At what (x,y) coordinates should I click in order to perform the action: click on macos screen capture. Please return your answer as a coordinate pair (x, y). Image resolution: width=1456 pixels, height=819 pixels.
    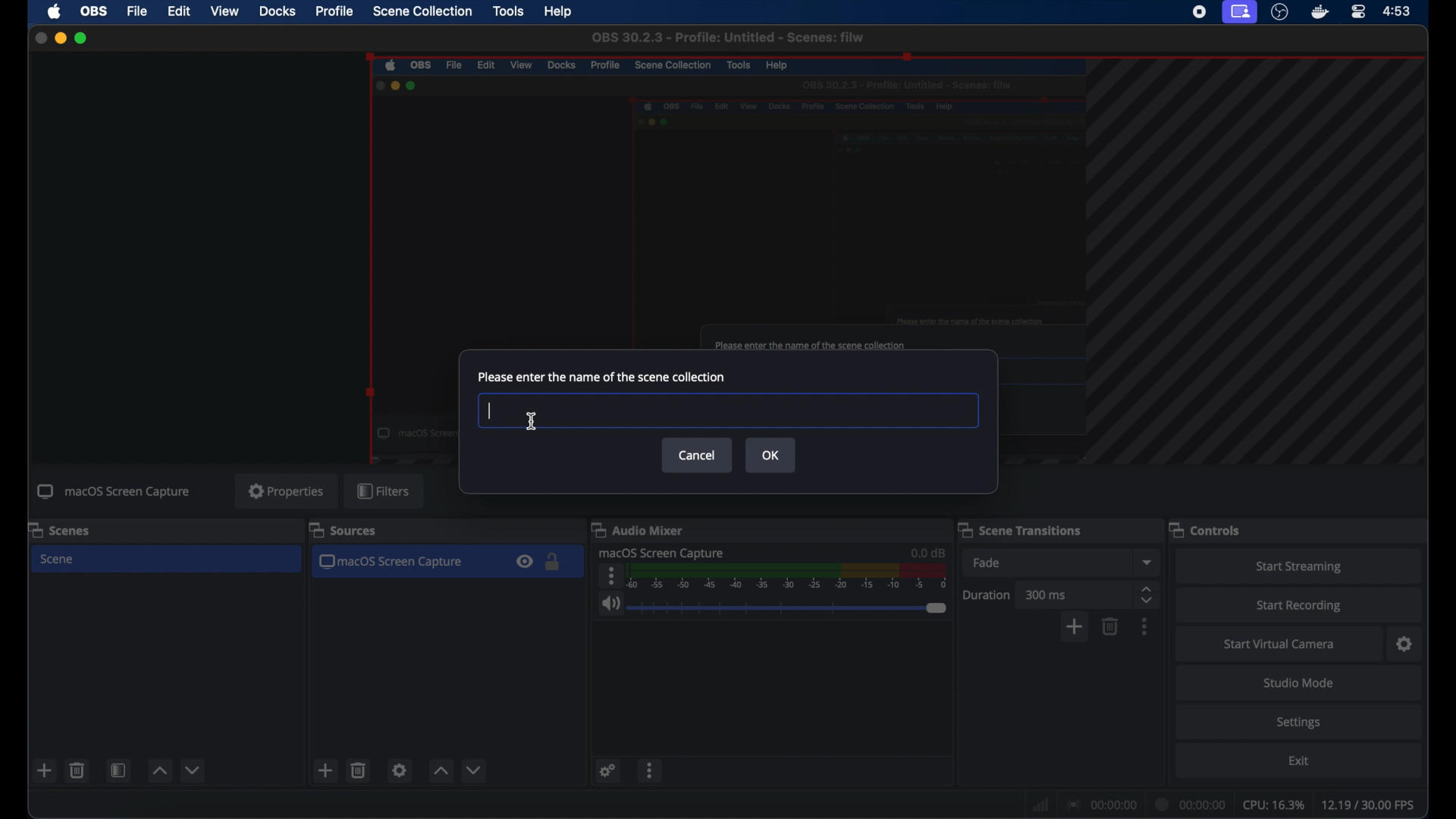
    Looking at the image, I should click on (395, 563).